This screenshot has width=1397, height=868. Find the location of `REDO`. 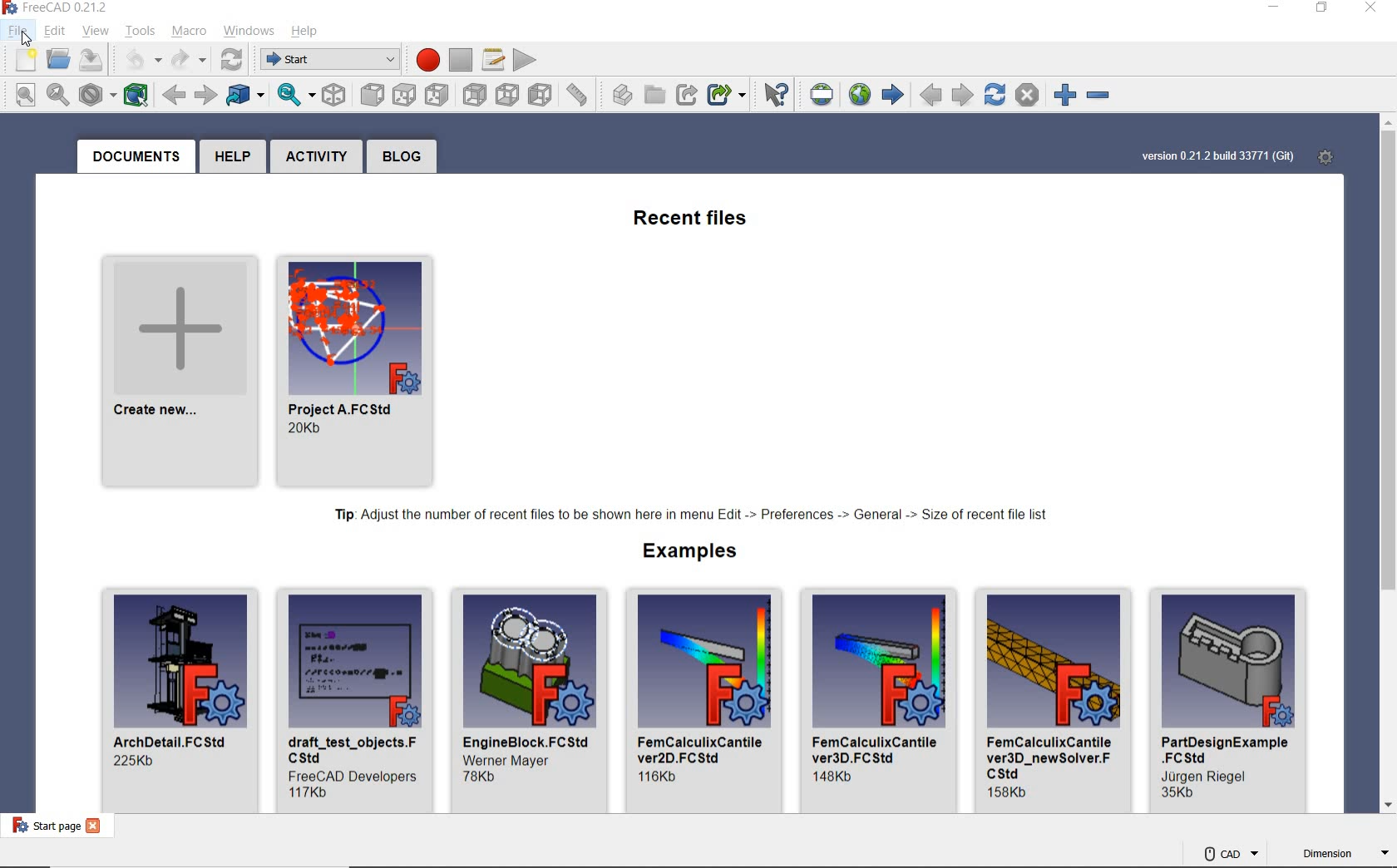

REDO is located at coordinates (190, 62).